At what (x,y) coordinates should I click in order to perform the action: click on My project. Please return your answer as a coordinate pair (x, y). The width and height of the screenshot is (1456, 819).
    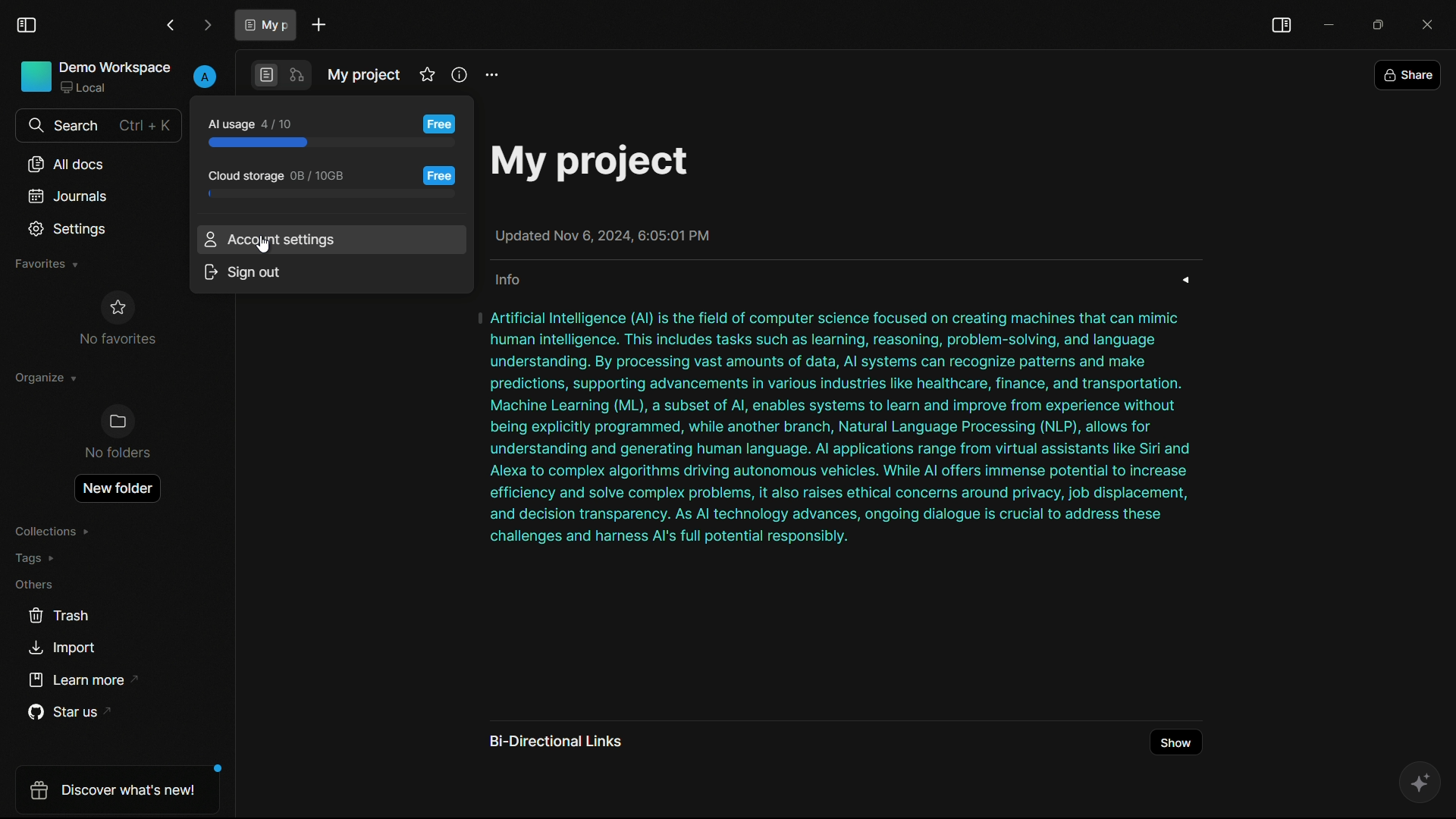
    Looking at the image, I should click on (595, 162).